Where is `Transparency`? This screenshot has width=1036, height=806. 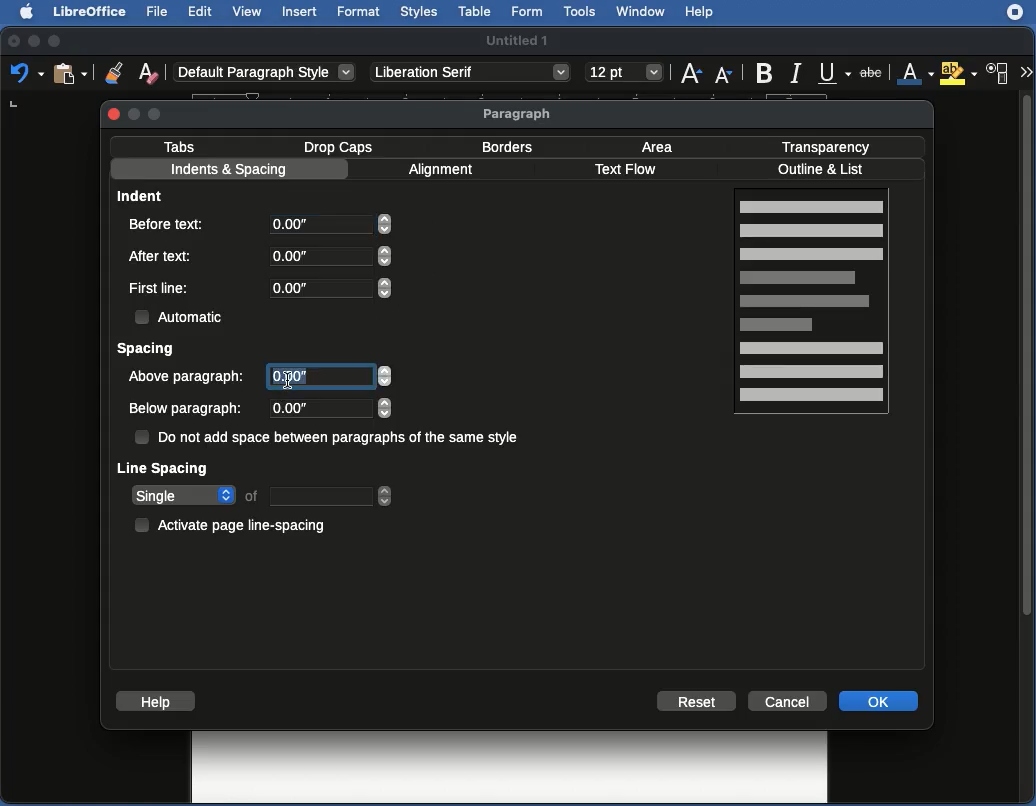
Transparency is located at coordinates (826, 145).